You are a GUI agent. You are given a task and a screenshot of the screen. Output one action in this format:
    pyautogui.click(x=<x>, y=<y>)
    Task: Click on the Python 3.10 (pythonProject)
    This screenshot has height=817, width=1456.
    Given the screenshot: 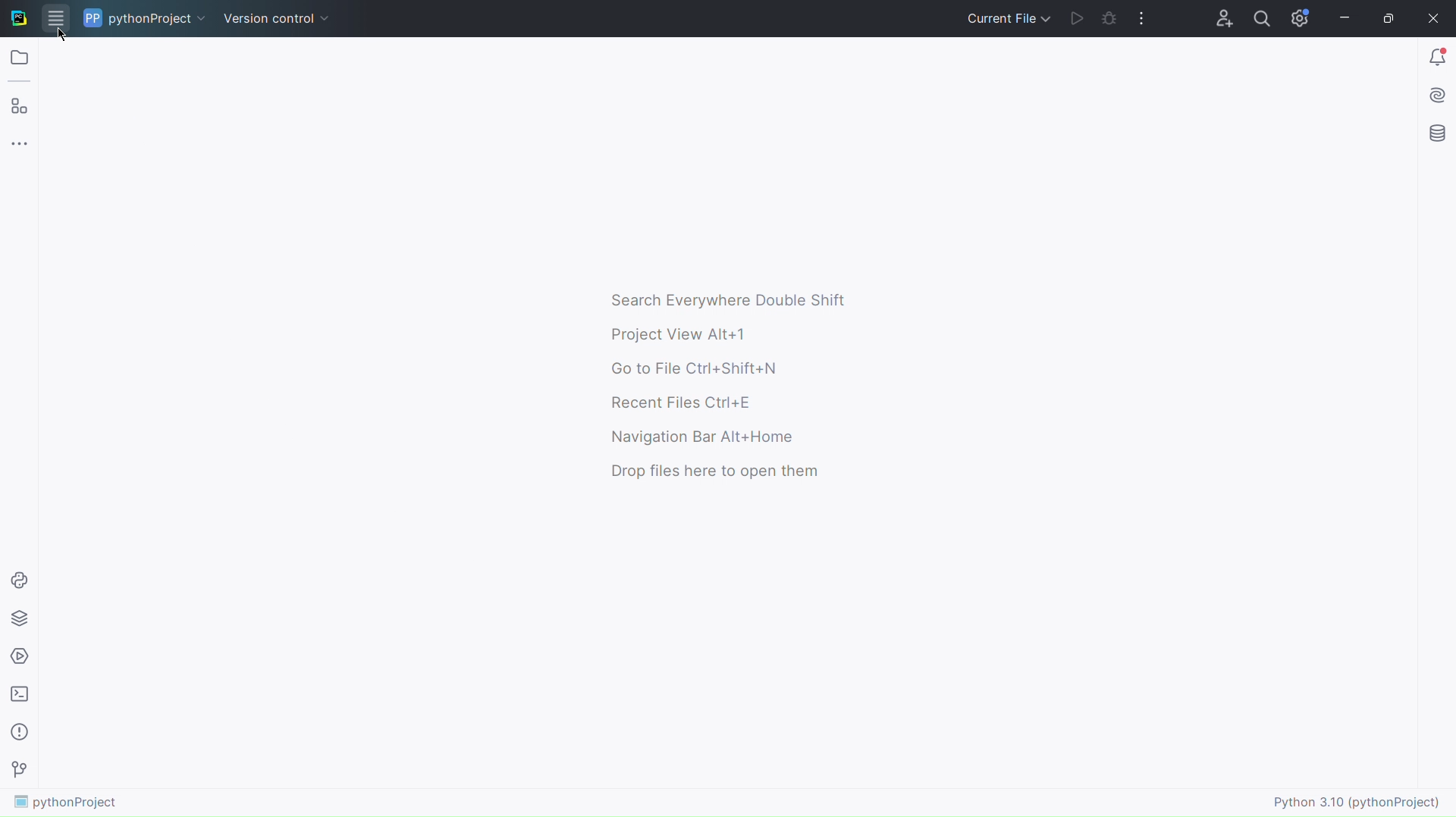 What is the action you would take?
    pyautogui.click(x=1357, y=802)
    